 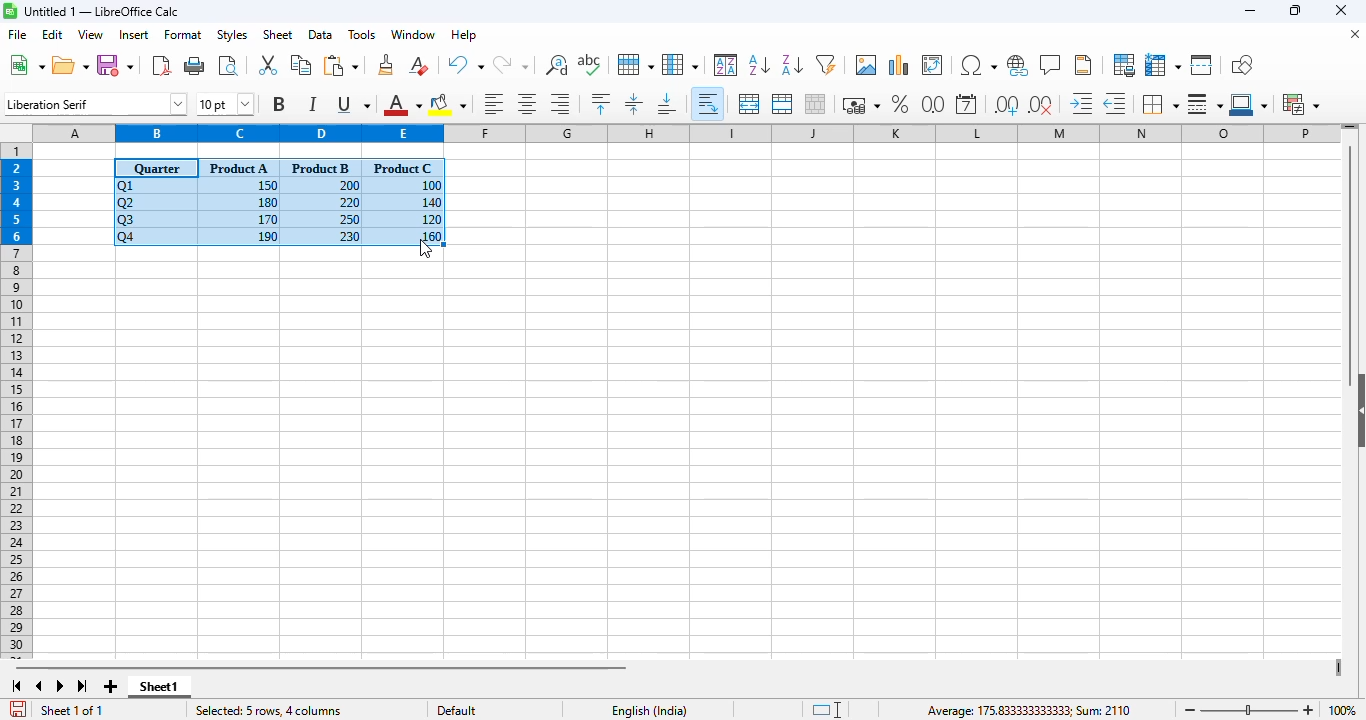 I want to click on underline, so click(x=352, y=104).